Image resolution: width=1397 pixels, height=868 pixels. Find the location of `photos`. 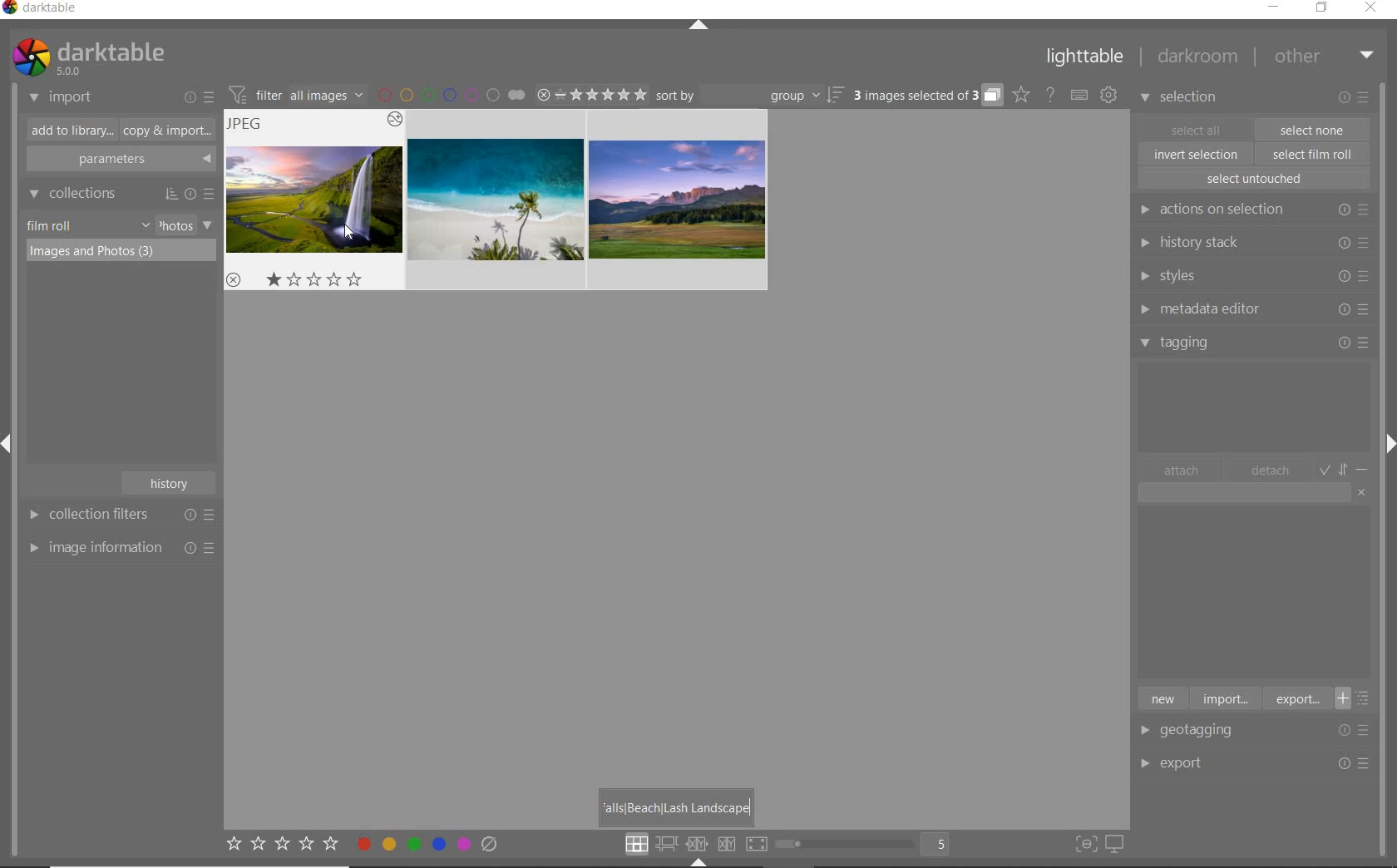

photos is located at coordinates (175, 225).